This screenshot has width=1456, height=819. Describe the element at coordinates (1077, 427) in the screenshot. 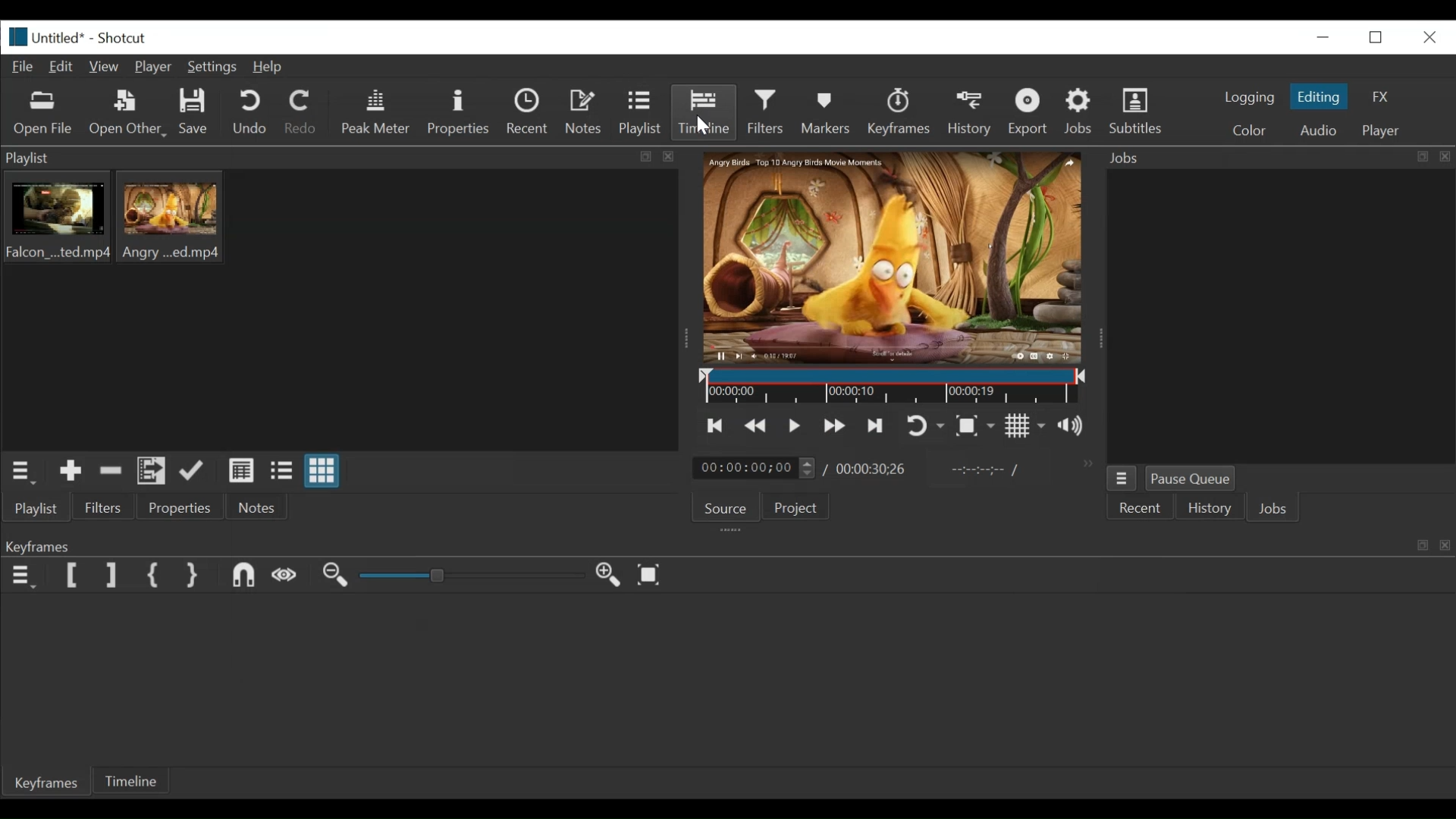

I see `show volume control` at that location.